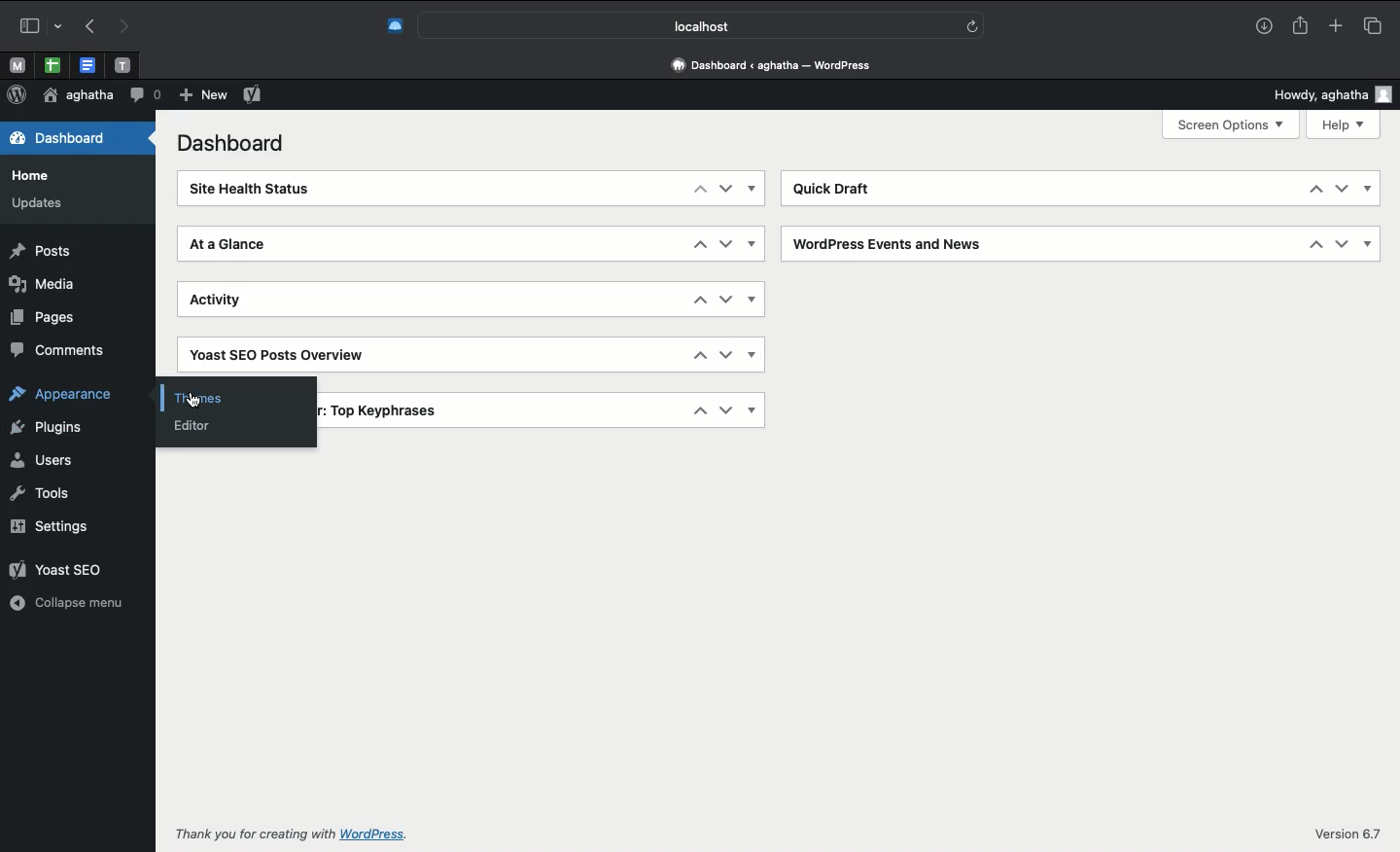 This screenshot has height=852, width=1400. I want to click on Top key phrases, so click(388, 408).